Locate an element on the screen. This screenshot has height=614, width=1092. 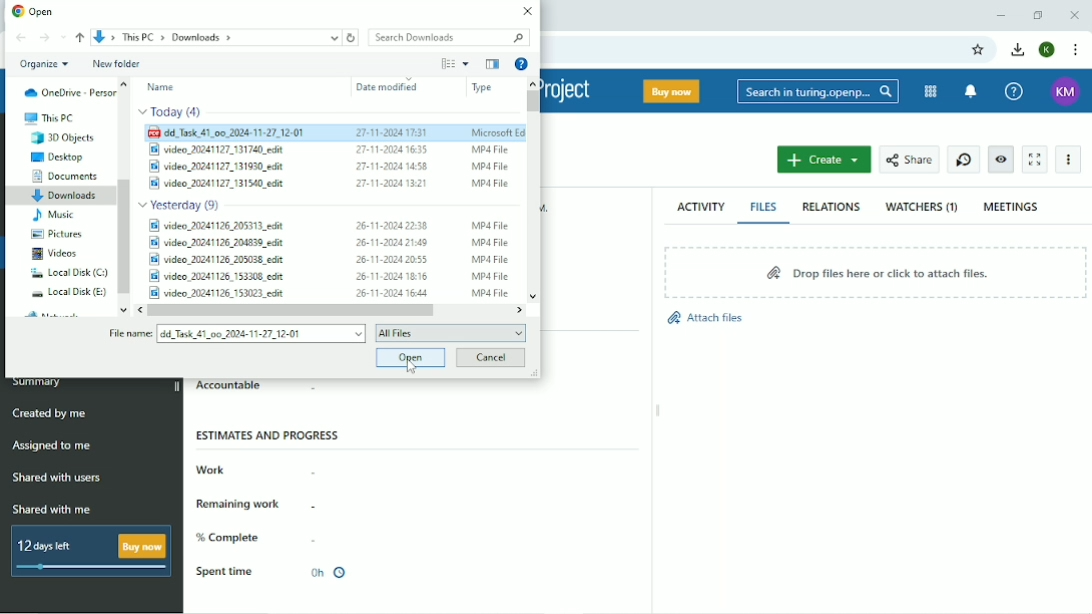
- is located at coordinates (324, 505).